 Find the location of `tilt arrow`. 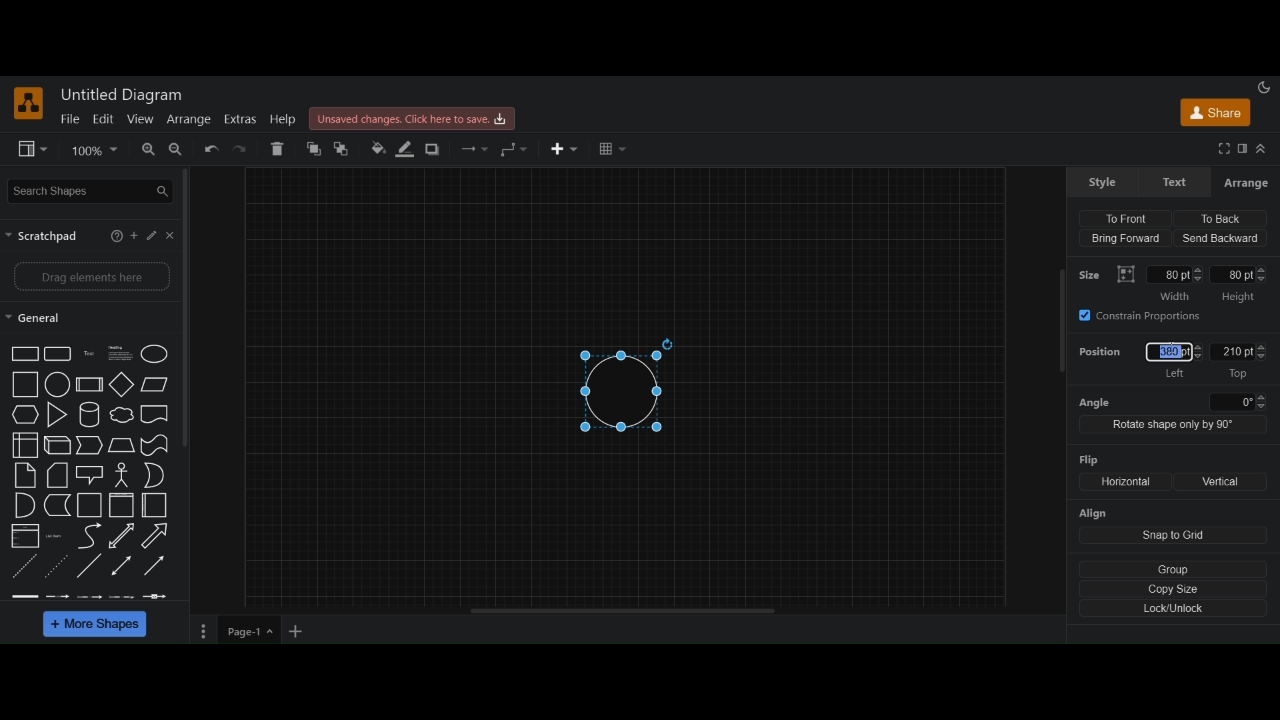

tilt arrow is located at coordinates (122, 536).